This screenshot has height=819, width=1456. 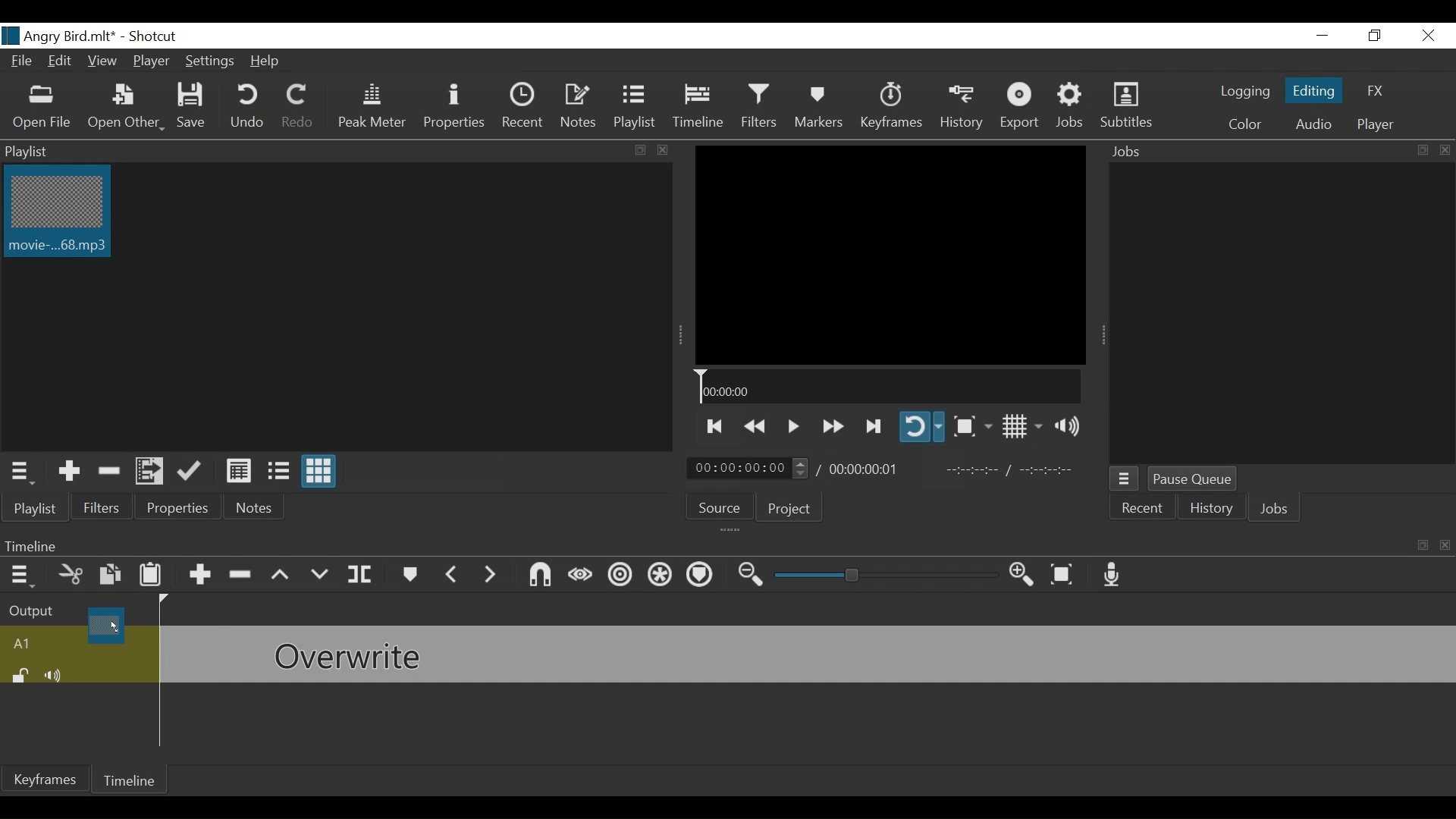 I want to click on Cut, so click(x=67, y=573).